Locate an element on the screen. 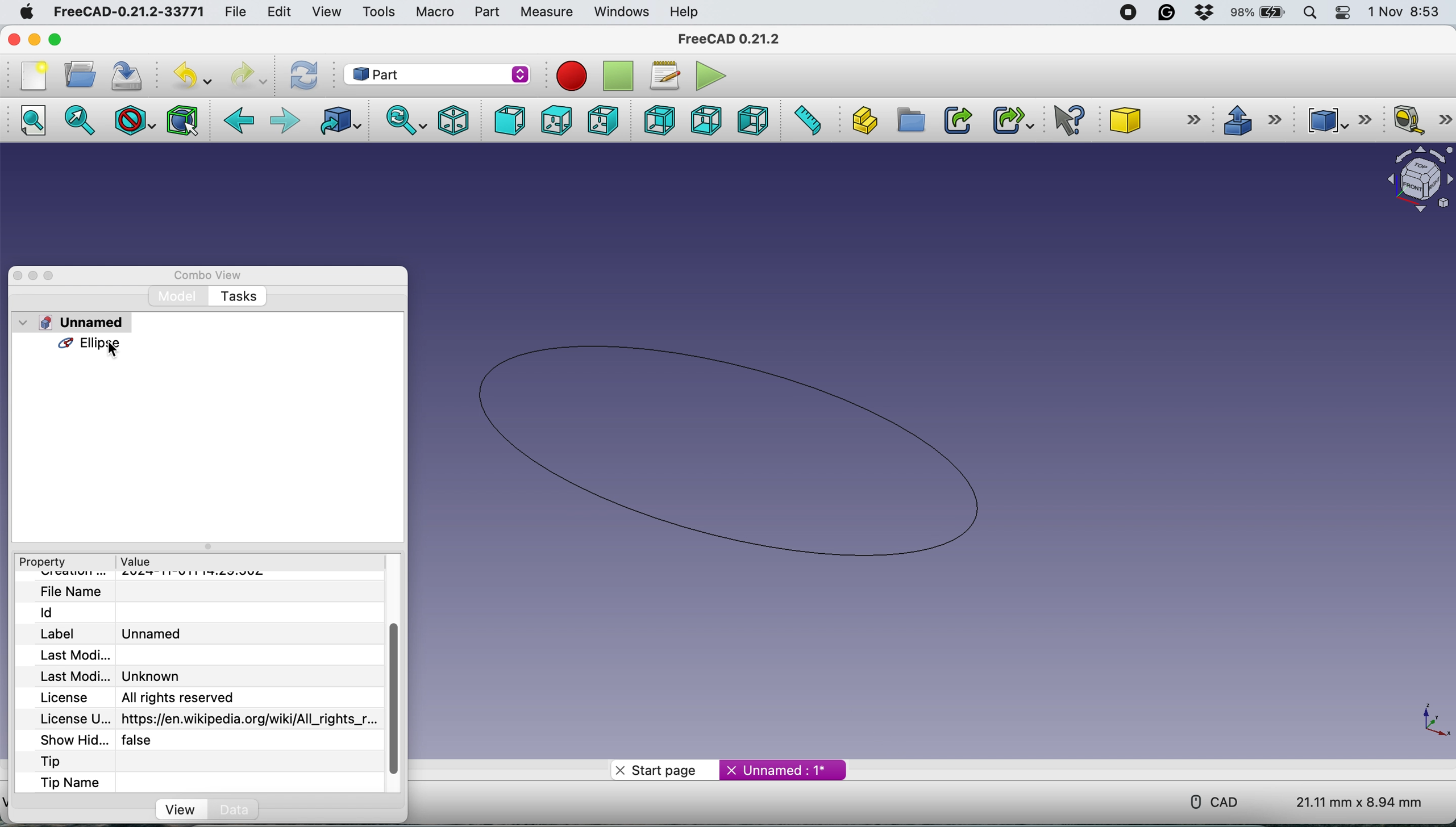  maximise is located at coordinates (53, 40).